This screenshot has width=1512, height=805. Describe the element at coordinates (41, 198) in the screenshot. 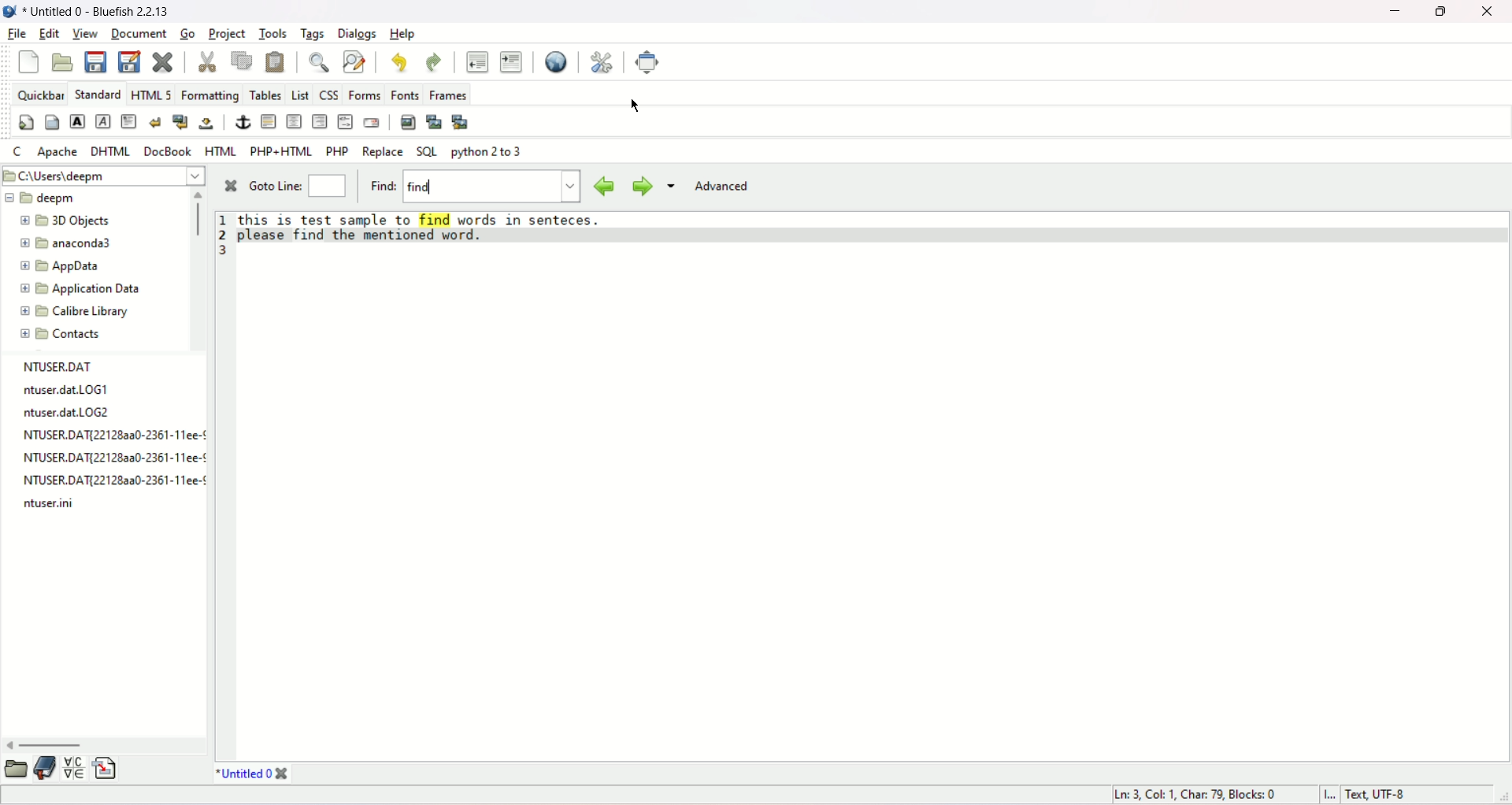

I see `deepm` at that location.